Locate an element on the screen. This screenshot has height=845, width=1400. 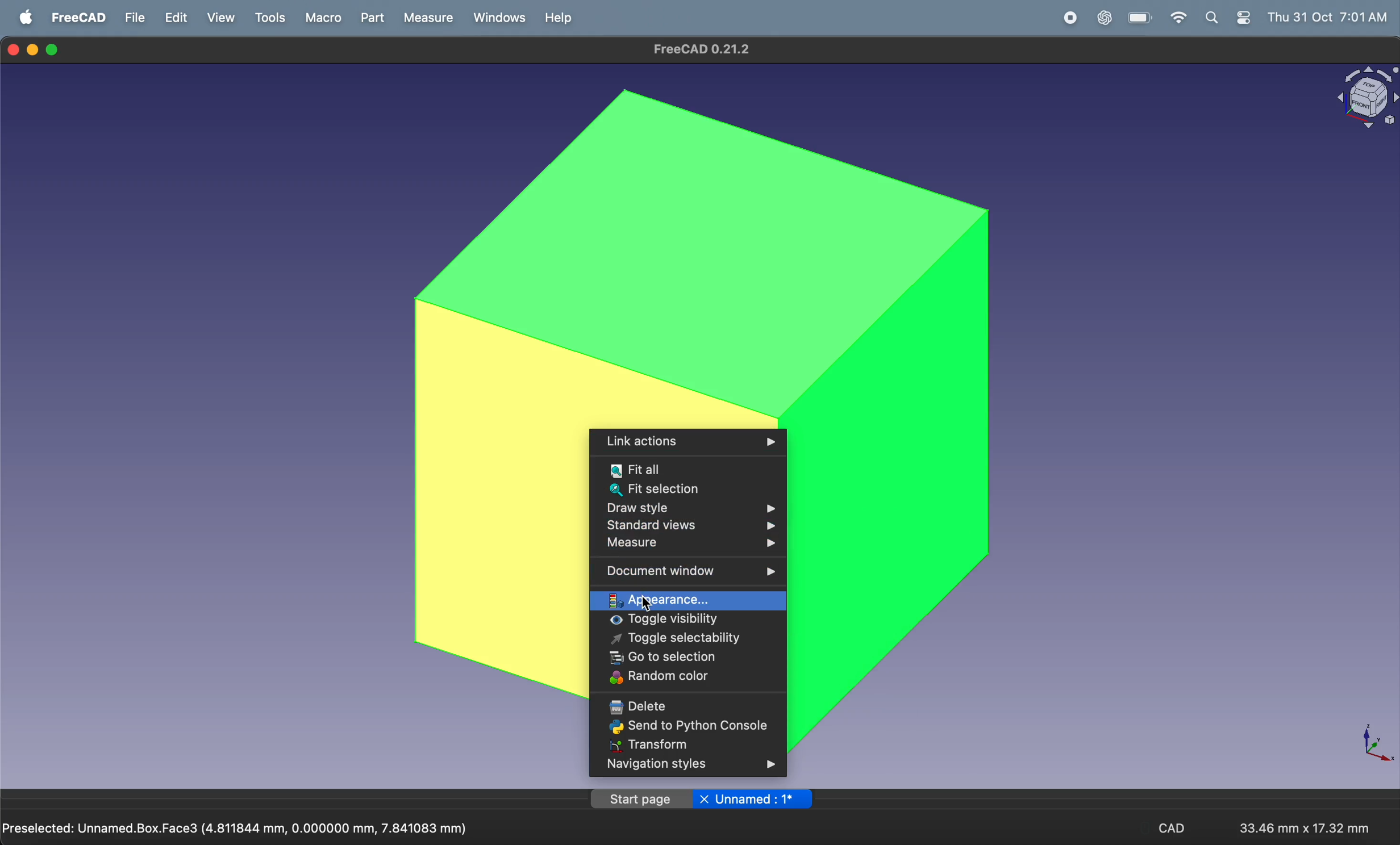
help is located at coordinates (558, 17).